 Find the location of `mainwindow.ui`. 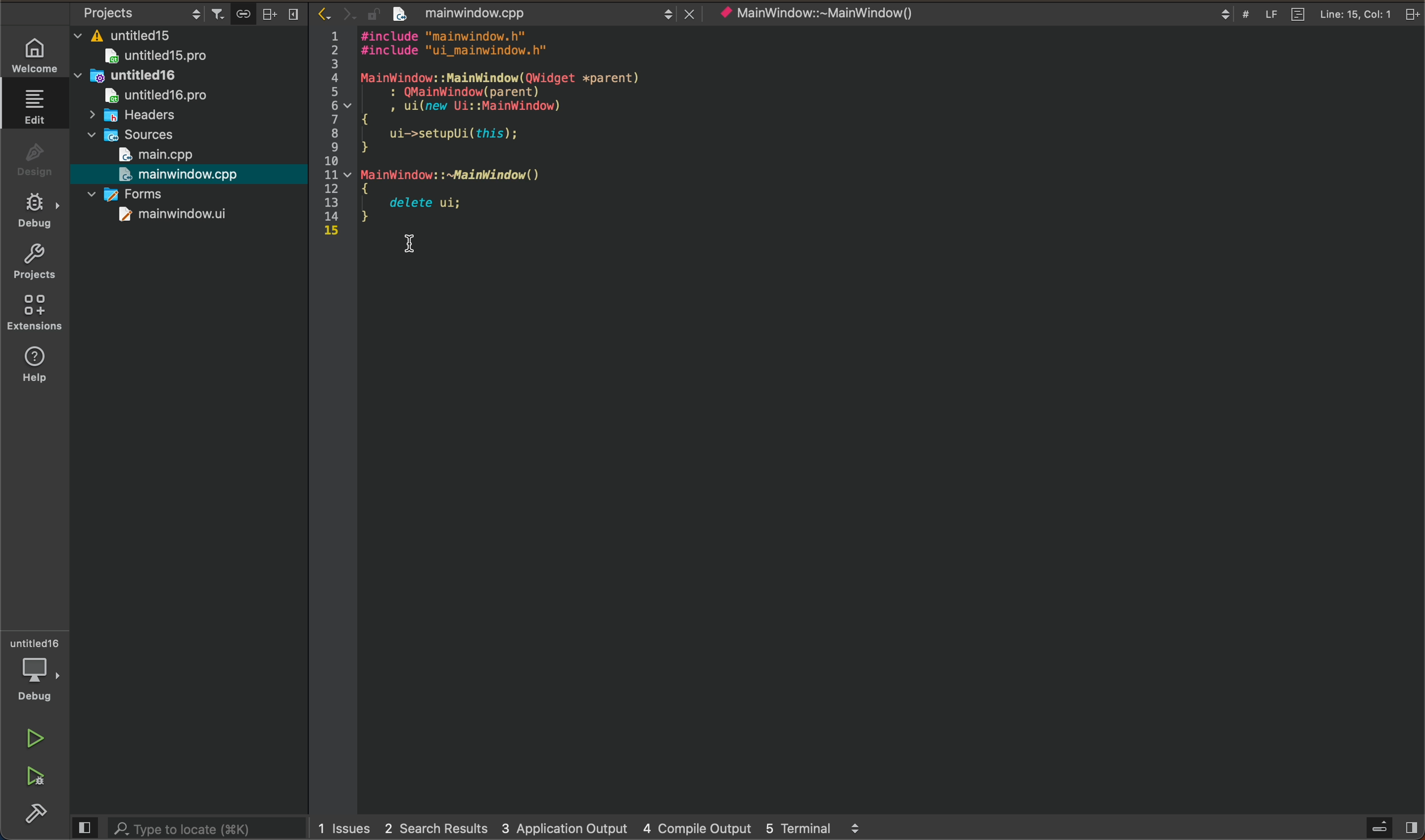

mainwindow.ui is located at coordinates (161, 218).